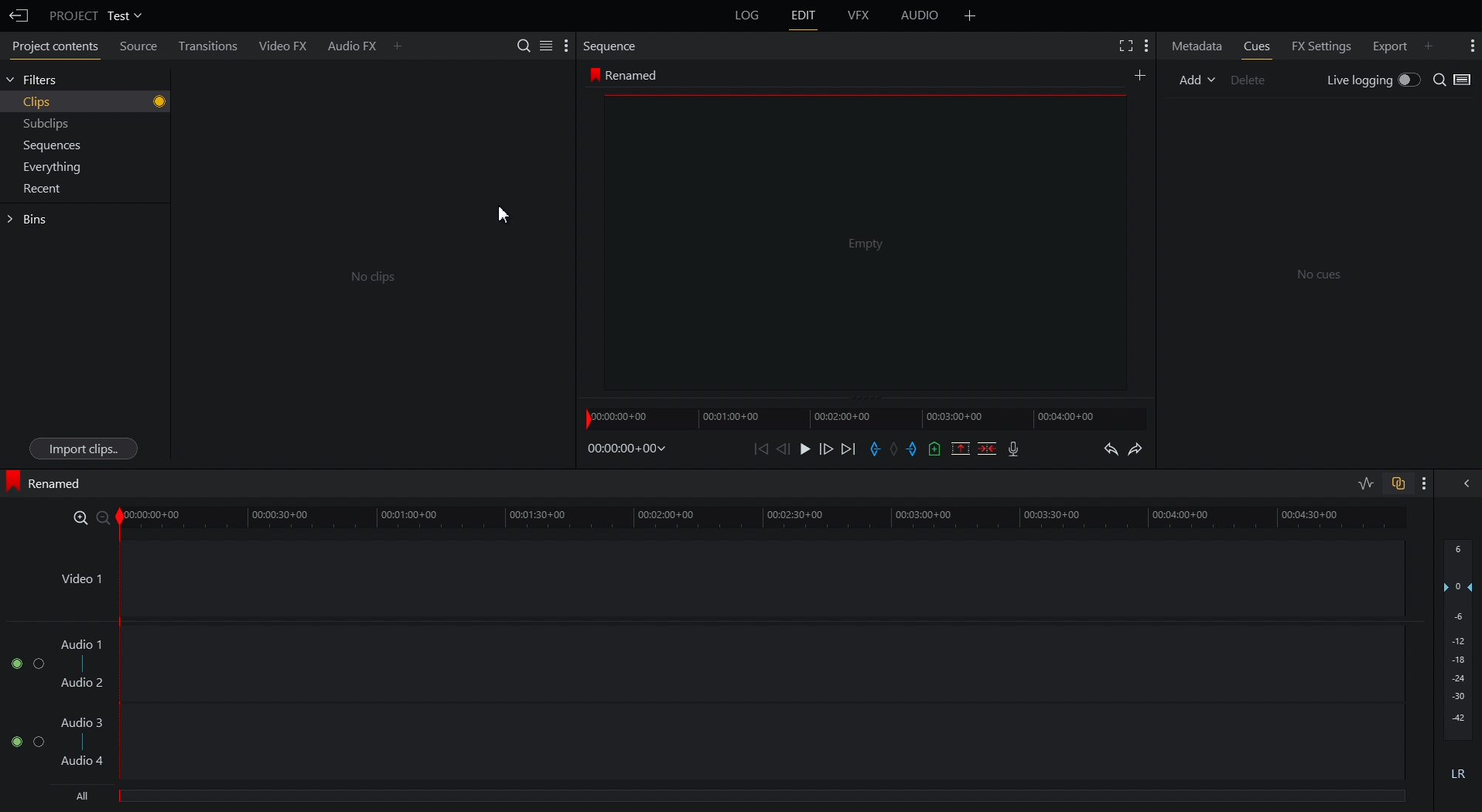 The width and height of the screenshot is (1482, 812). Describe the element at coordinates (897, 449) in the screenshot. I see `Remove Marker` at that location.